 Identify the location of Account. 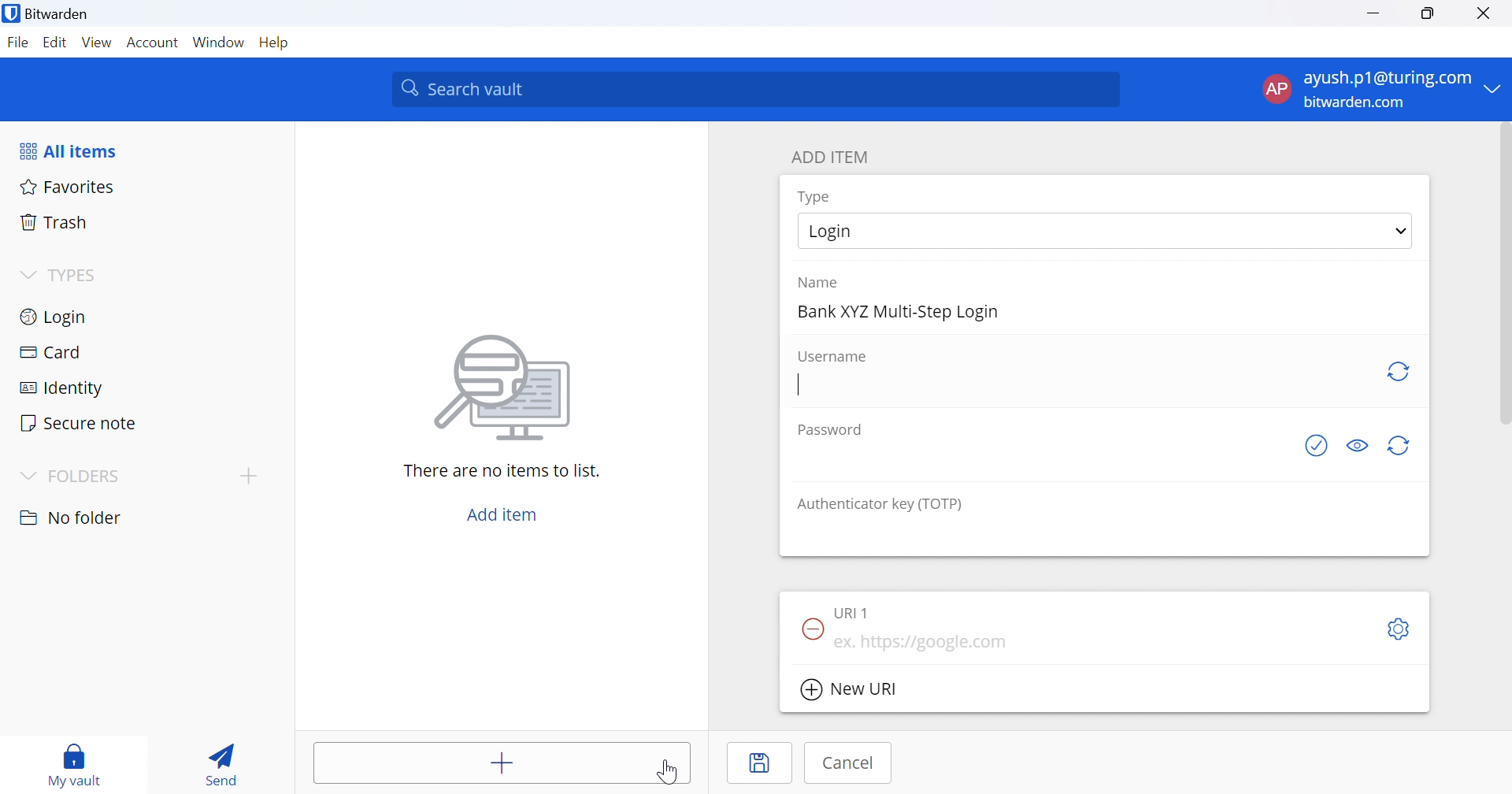
(154, 43).